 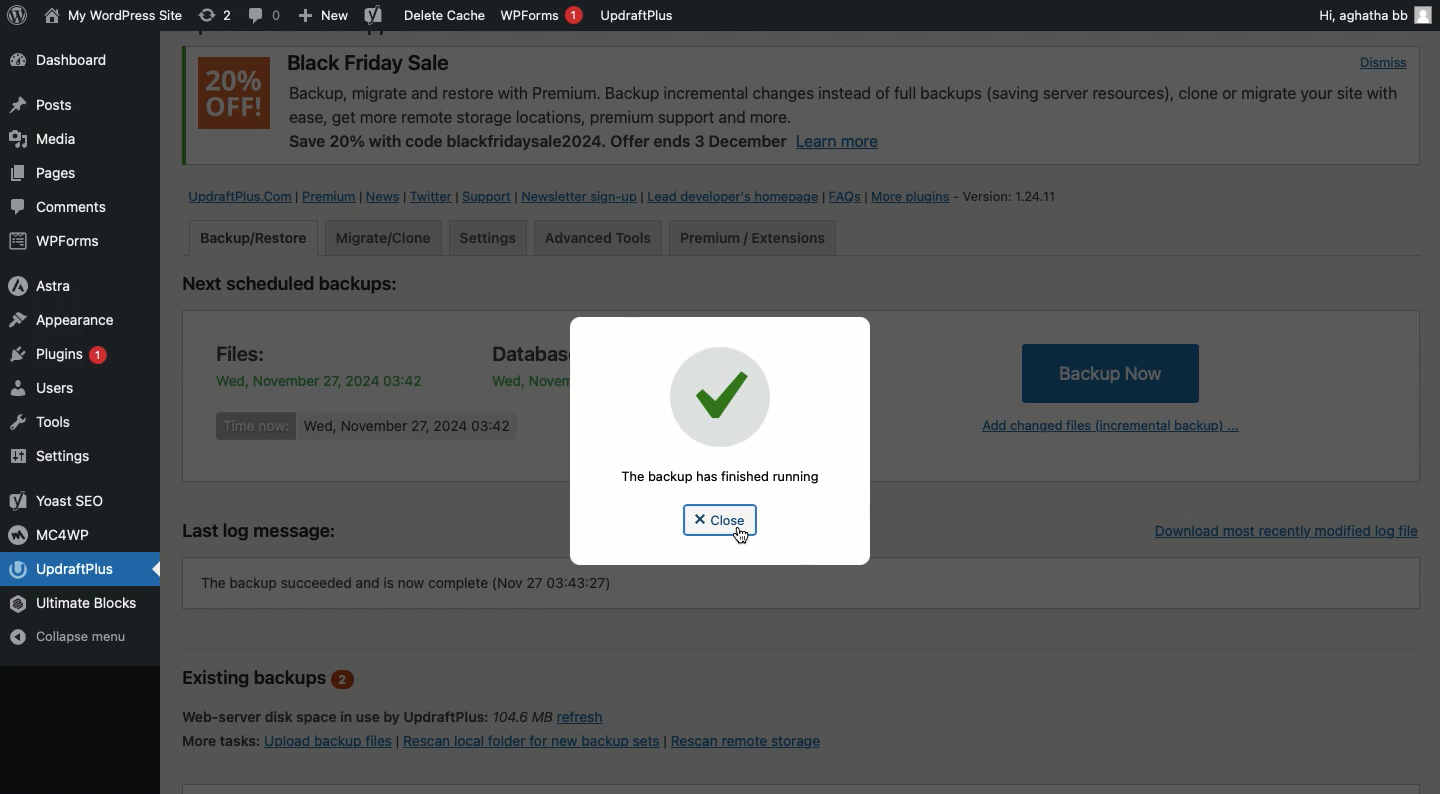 What do you see at coordinates (527, 351) in the screenshot?
I see `Database:` at bounding box center [527, 351].